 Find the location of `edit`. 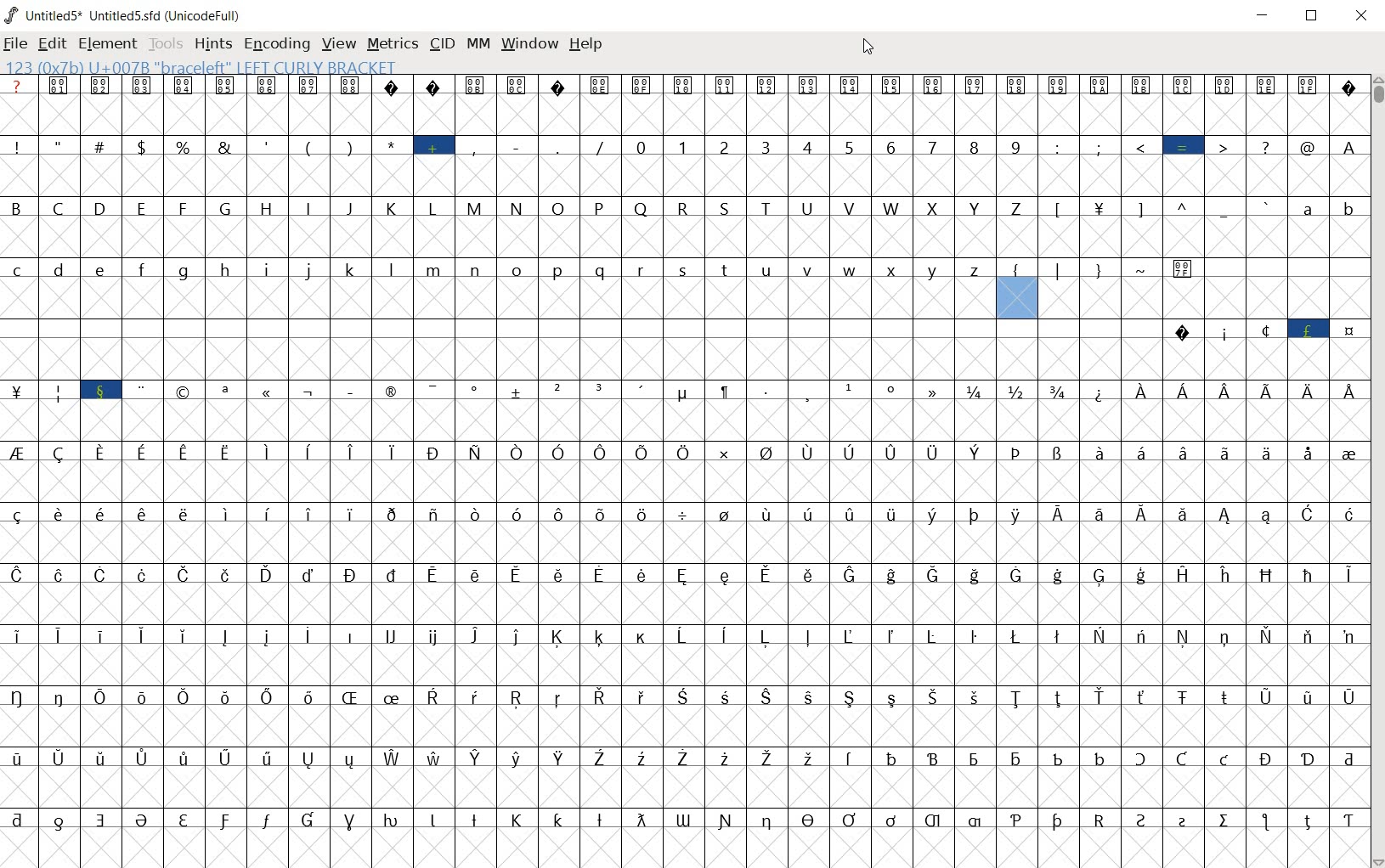

edit is located at coordinates (51, 46).